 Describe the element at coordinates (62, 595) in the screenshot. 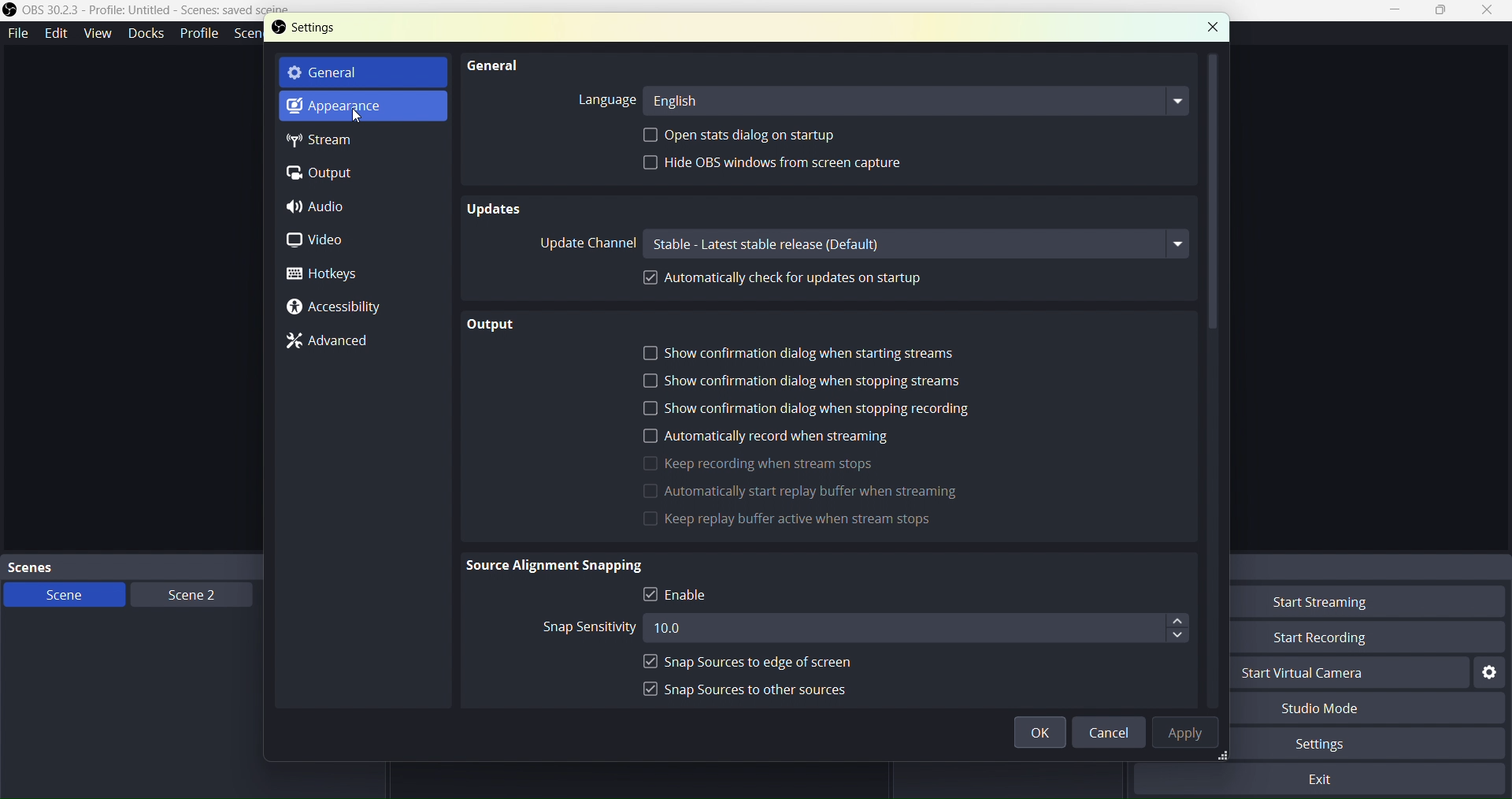

I see `Scene` at that location.